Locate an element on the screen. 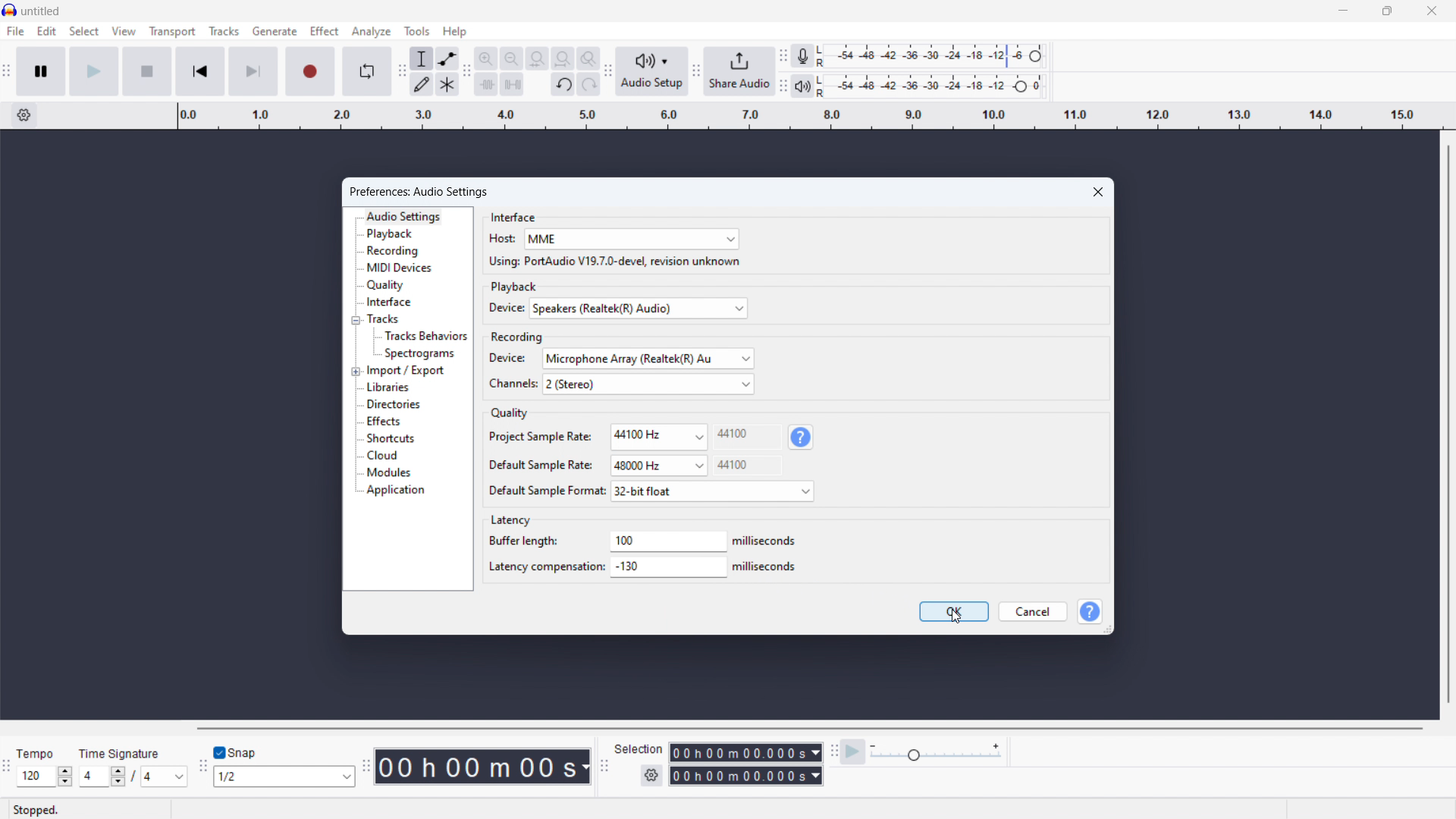  interface is located at coordinates (513, 215).